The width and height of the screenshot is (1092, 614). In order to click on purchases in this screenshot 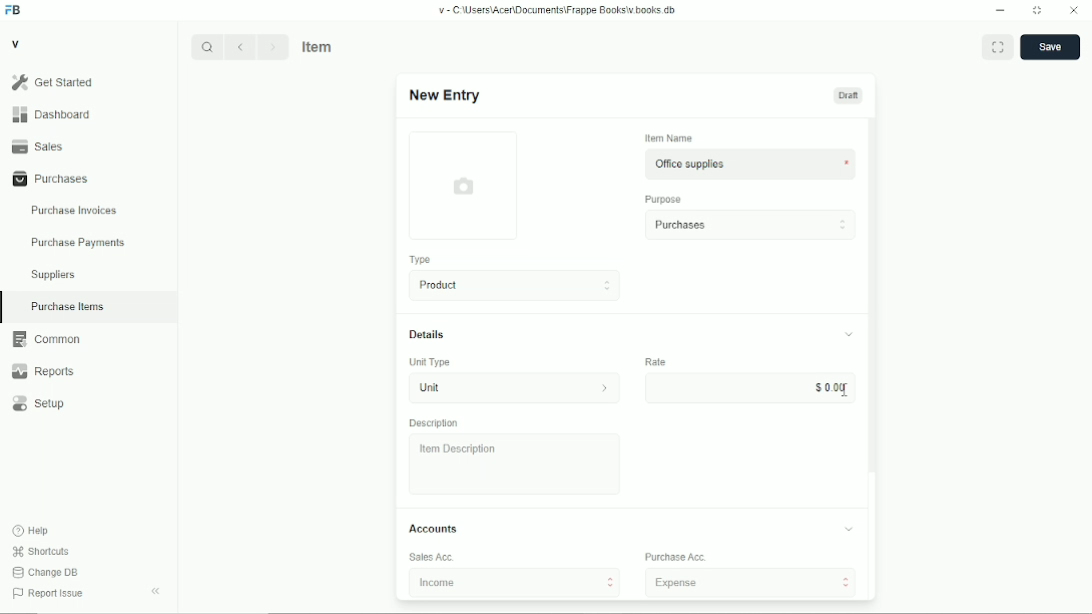, I will do `click(51, 179)`.